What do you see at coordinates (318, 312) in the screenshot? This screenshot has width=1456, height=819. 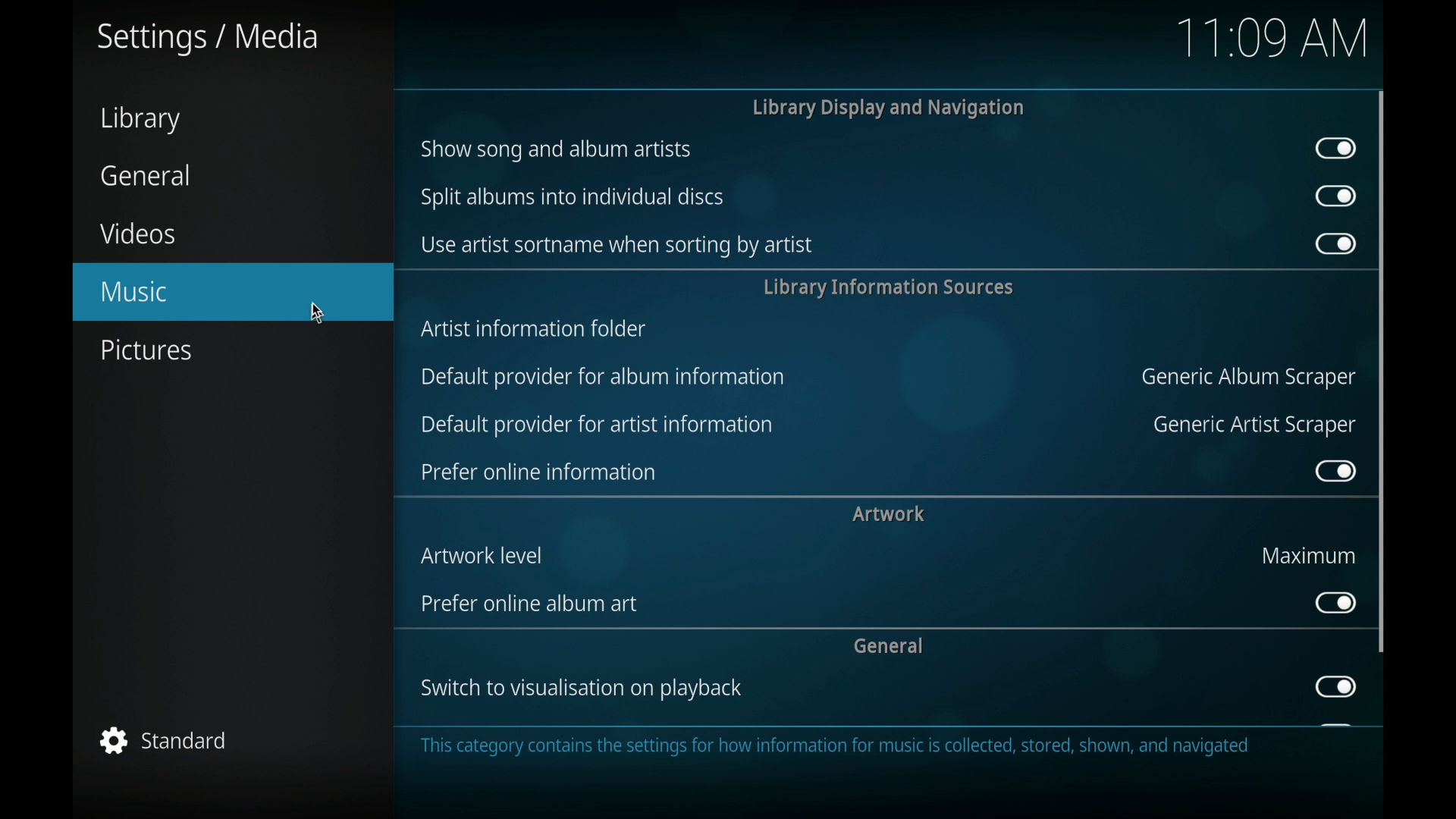 I see `cursor` at bounding box center [318, 312].